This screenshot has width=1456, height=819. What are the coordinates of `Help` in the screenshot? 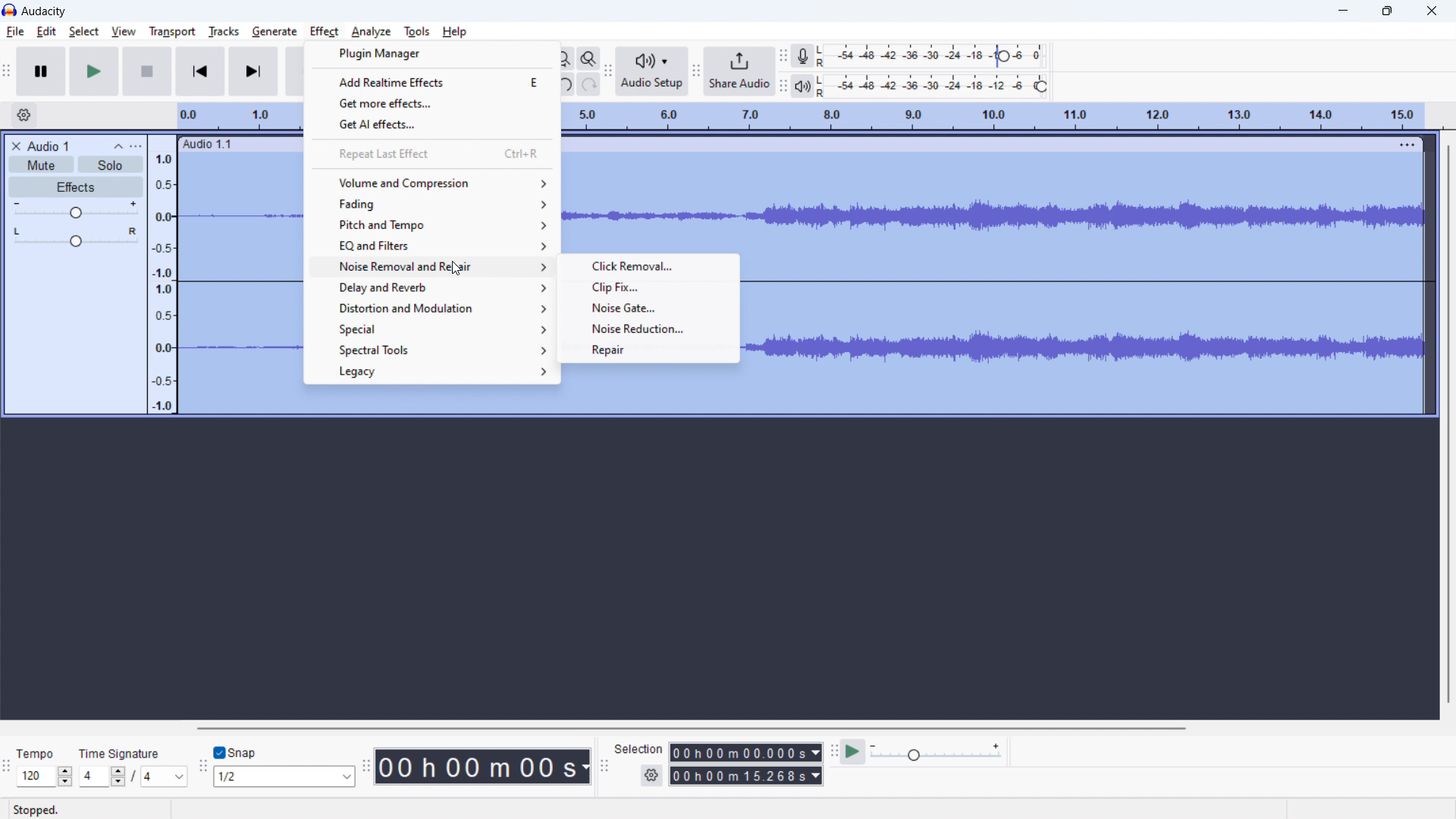 It's located at (457, 31).